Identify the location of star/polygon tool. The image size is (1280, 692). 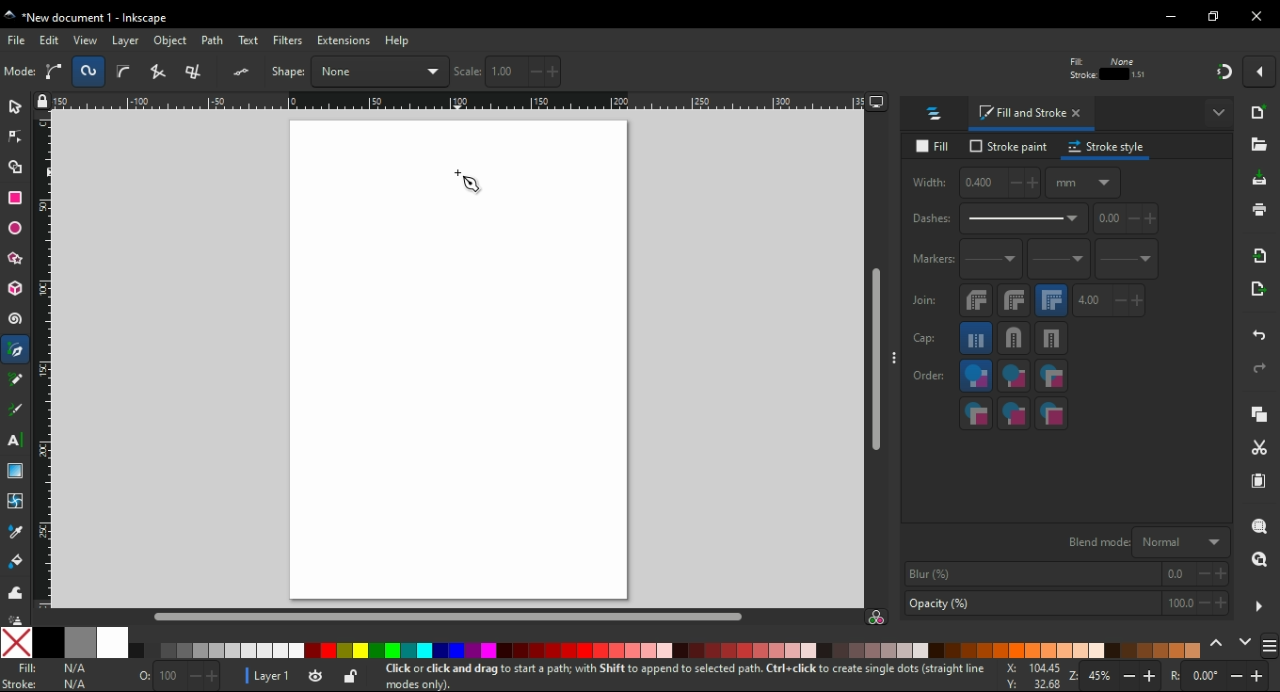
(17, 258).